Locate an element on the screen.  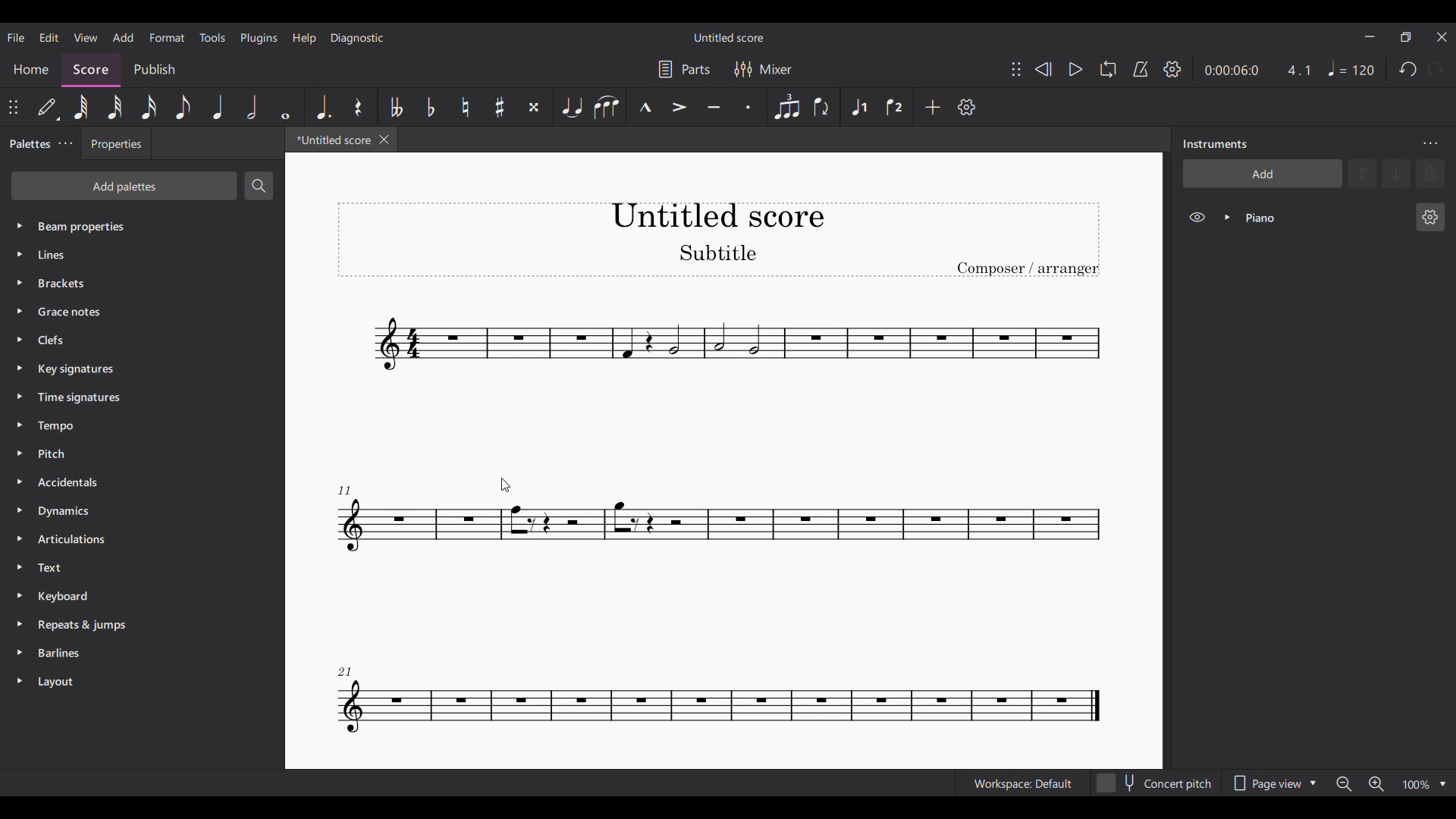
More settings is located at coordinates (65, 144).